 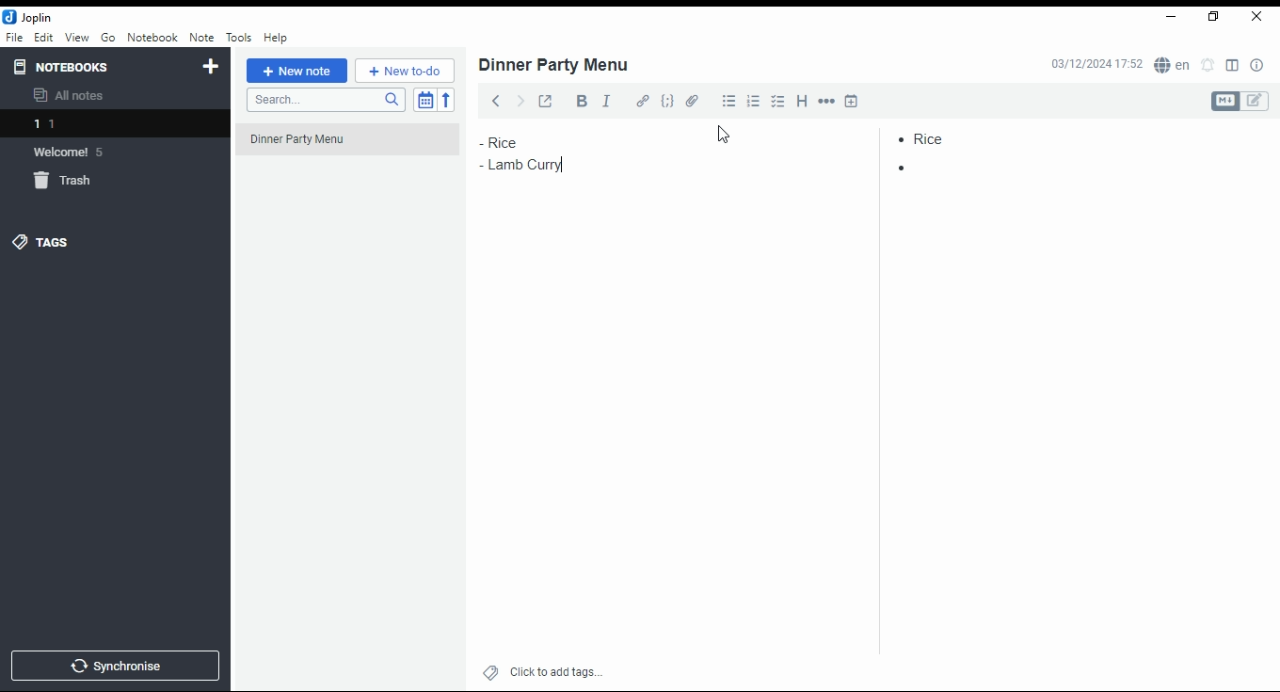 What do you see at coordinates (537, 165) in the screenshot?
I see `lamb curry` at bounding box center [537, 165].